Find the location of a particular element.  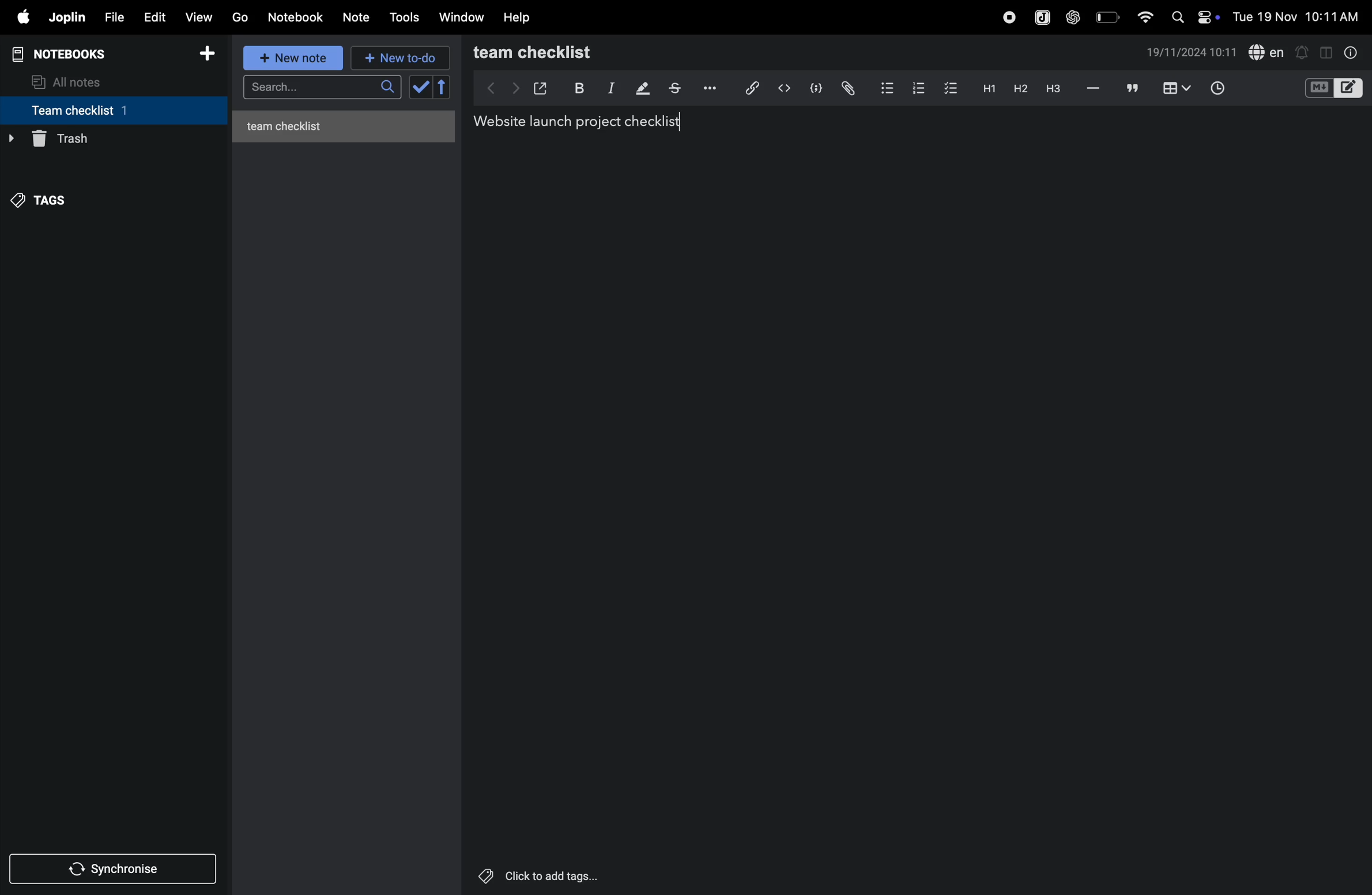

joplin is located at coordinates (68, 18).